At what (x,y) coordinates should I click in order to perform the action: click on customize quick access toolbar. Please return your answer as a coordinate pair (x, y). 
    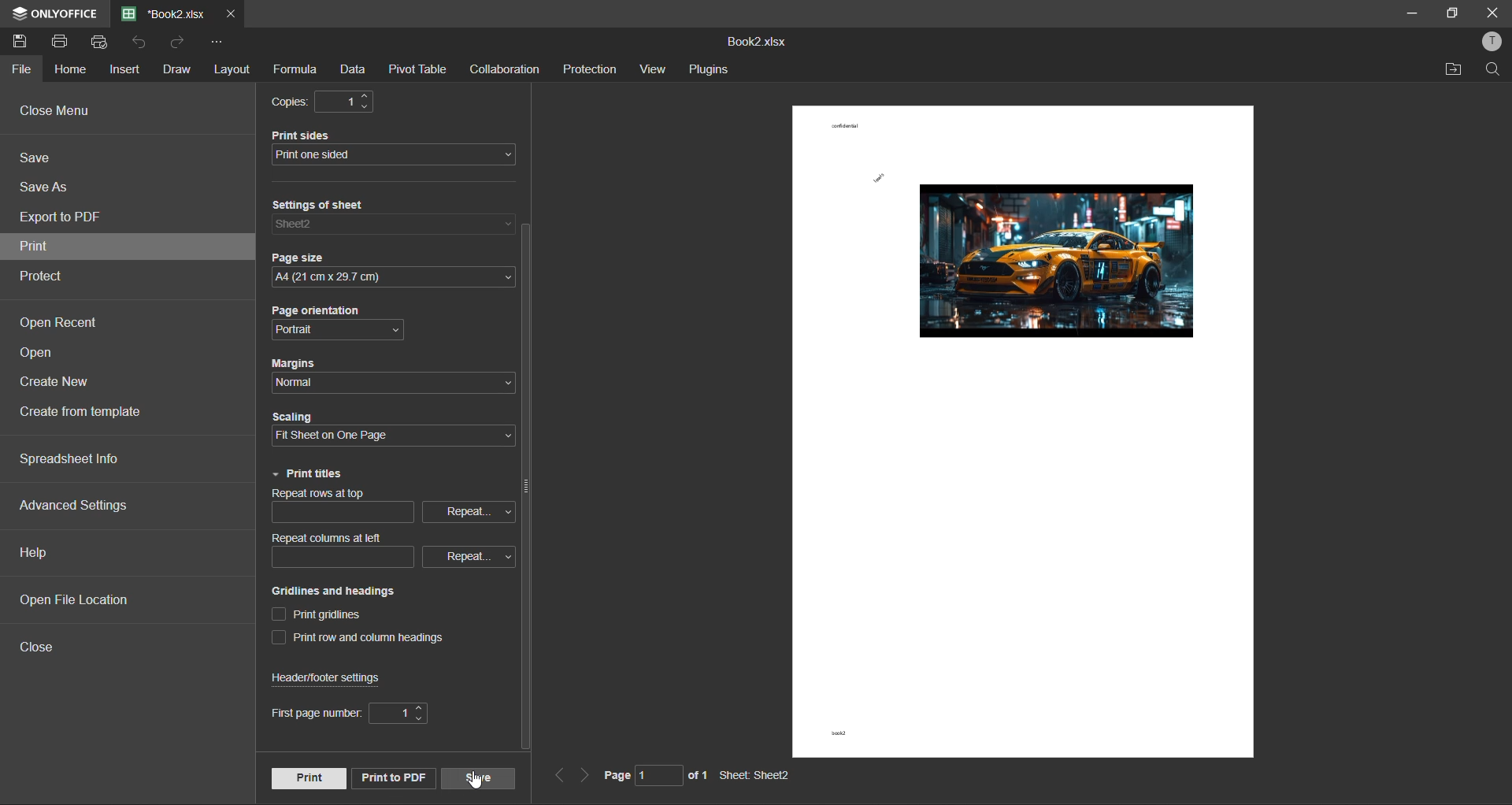
    Looking at the image, I should click on (216, 42).